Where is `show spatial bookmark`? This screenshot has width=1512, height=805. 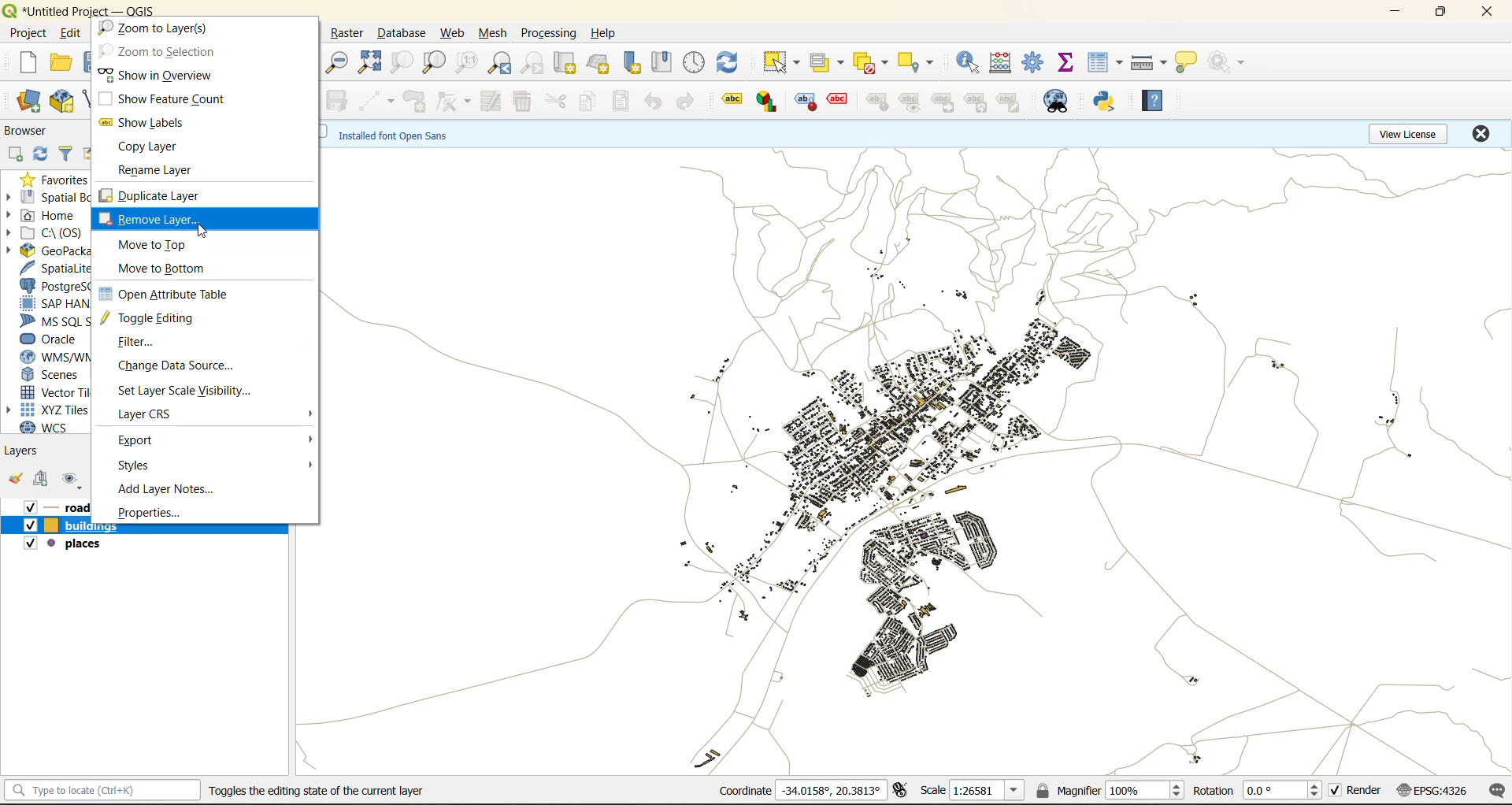
show spatial bookmark is located at coordinates (662, 60).